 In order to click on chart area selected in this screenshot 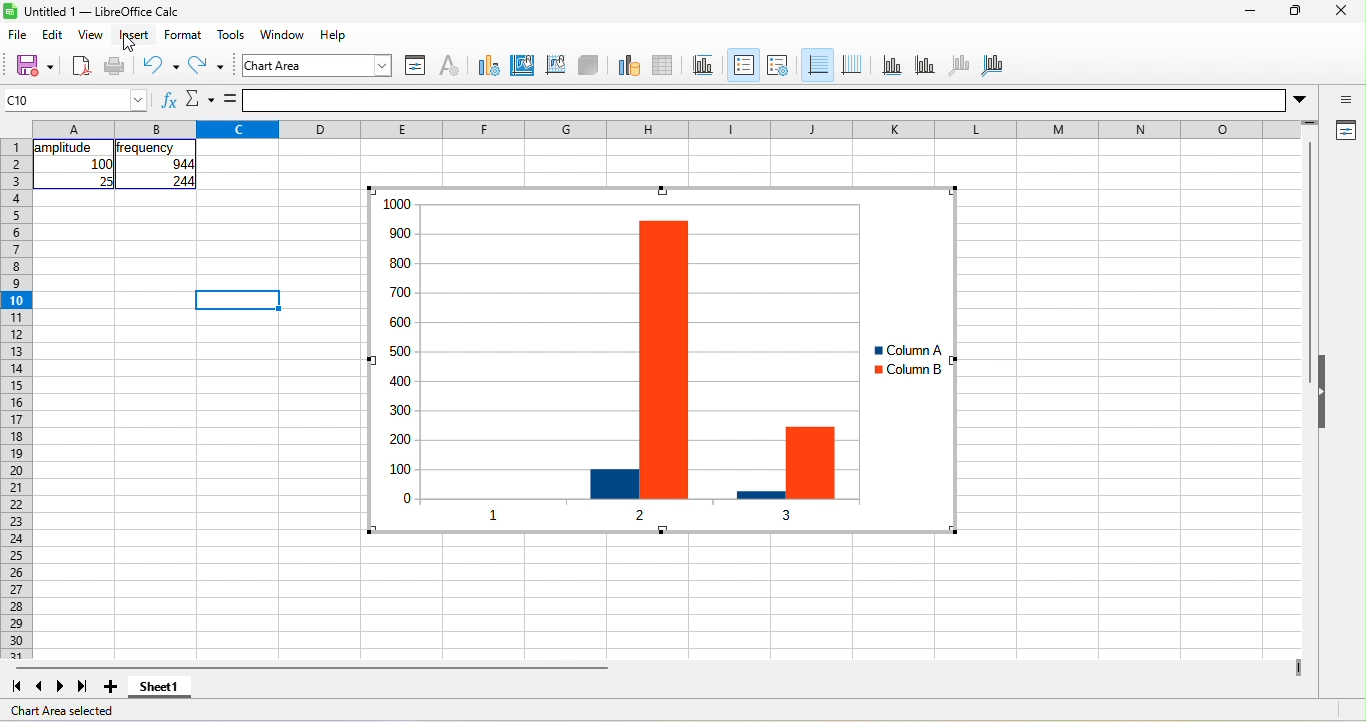, I will do `click(71, 711)`.